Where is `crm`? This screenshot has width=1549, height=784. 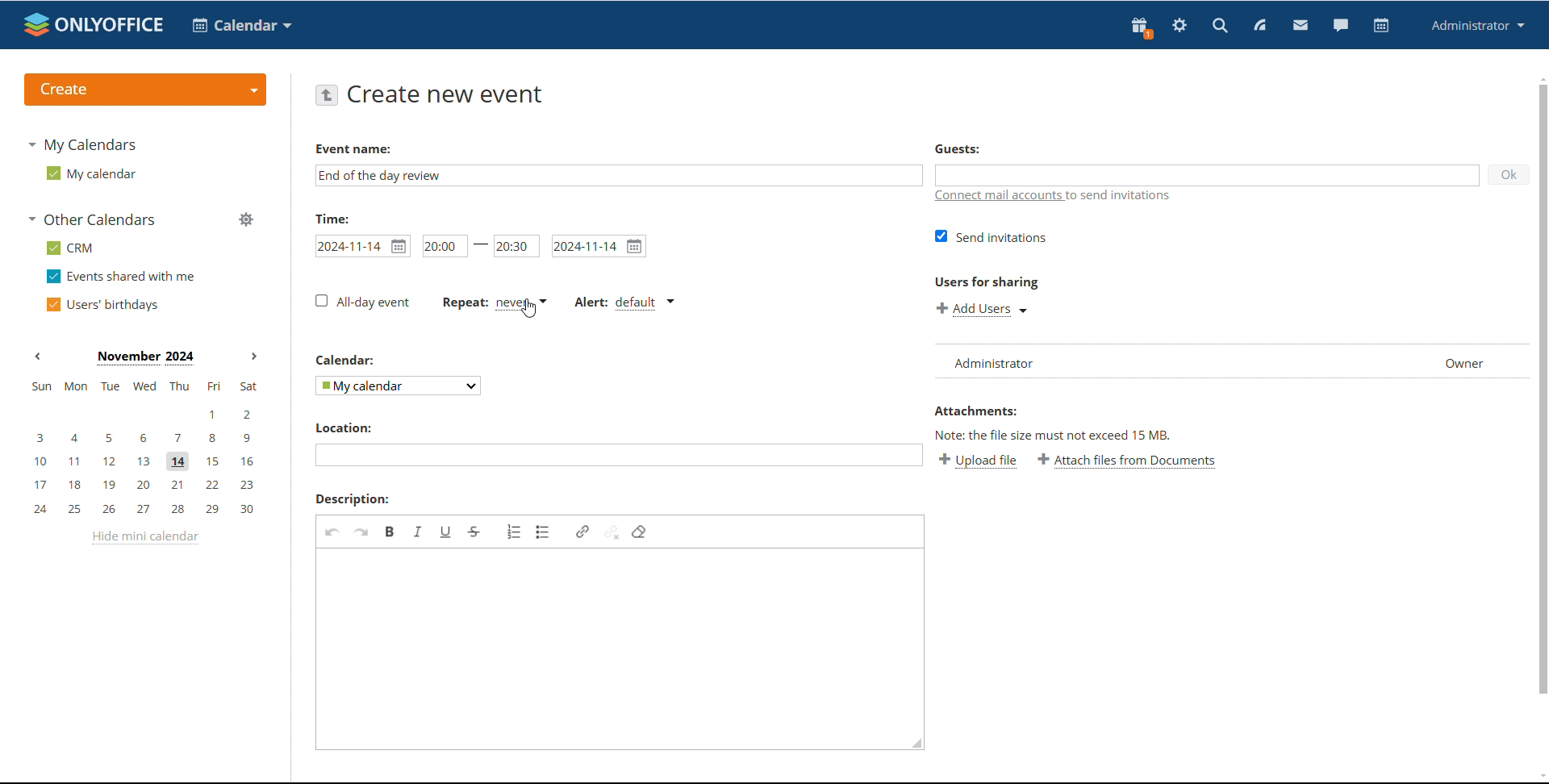 crm is located at coordinates (71, 248).